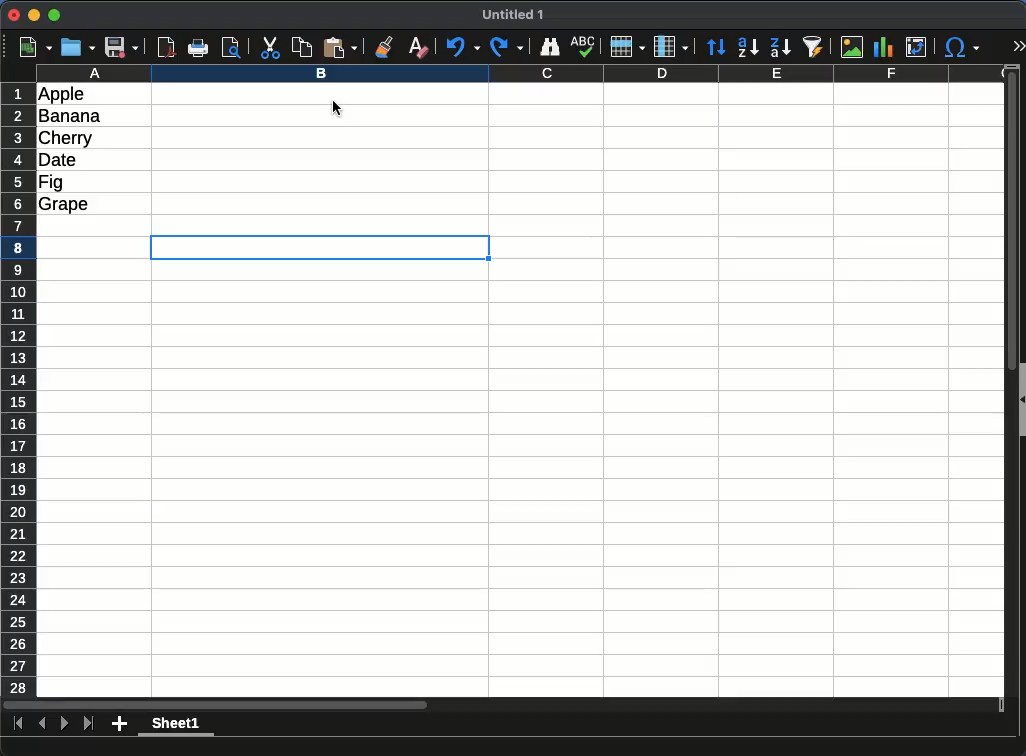 This screenshot has width=1026, height=756. I want to click on spell check, so click(583, 47).